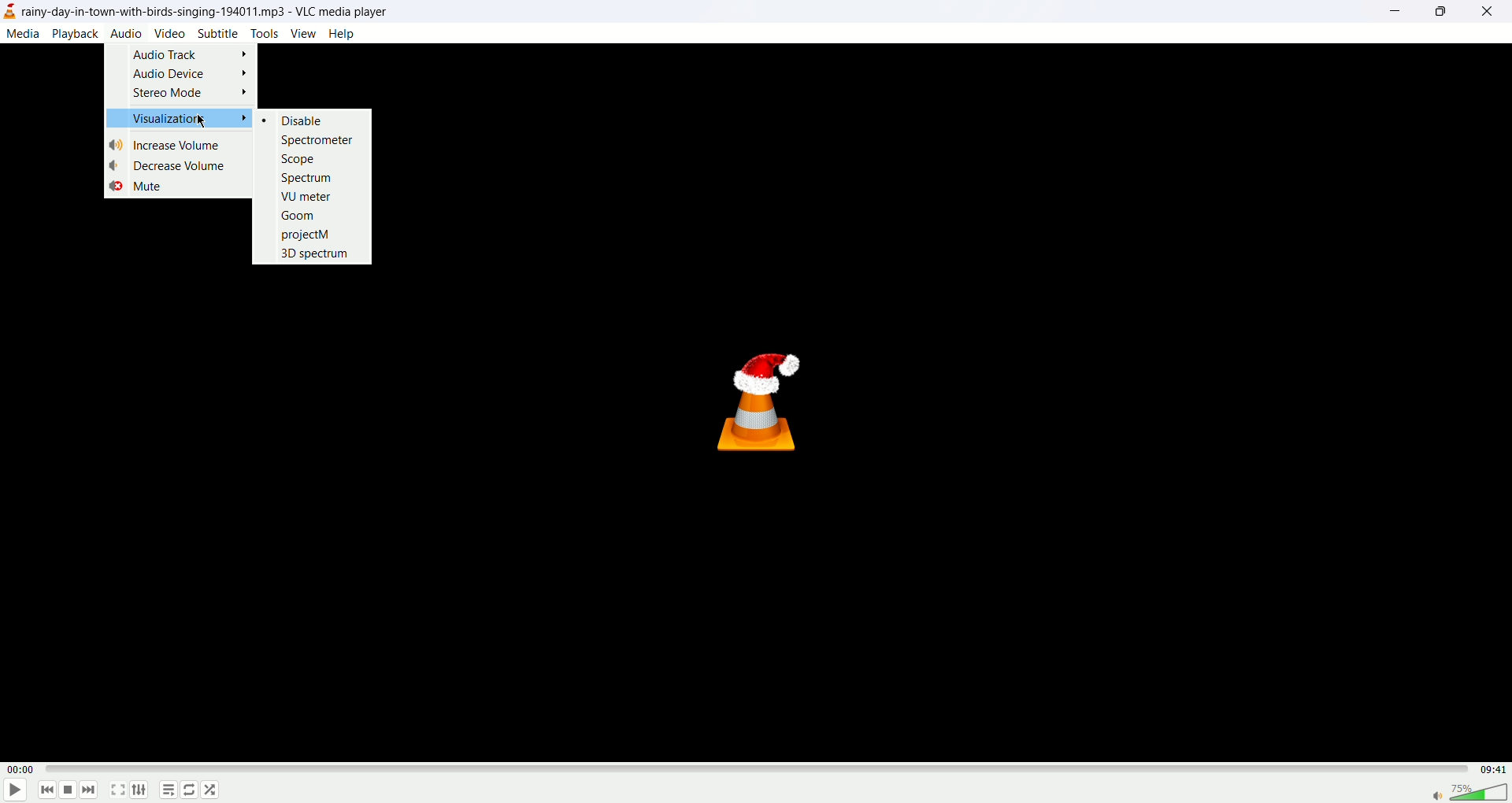 The width and height of the screenshot is (1512, 803). Describe the element at coordinates (309, 195) in the screenshot. I see `VU meter` at that location.